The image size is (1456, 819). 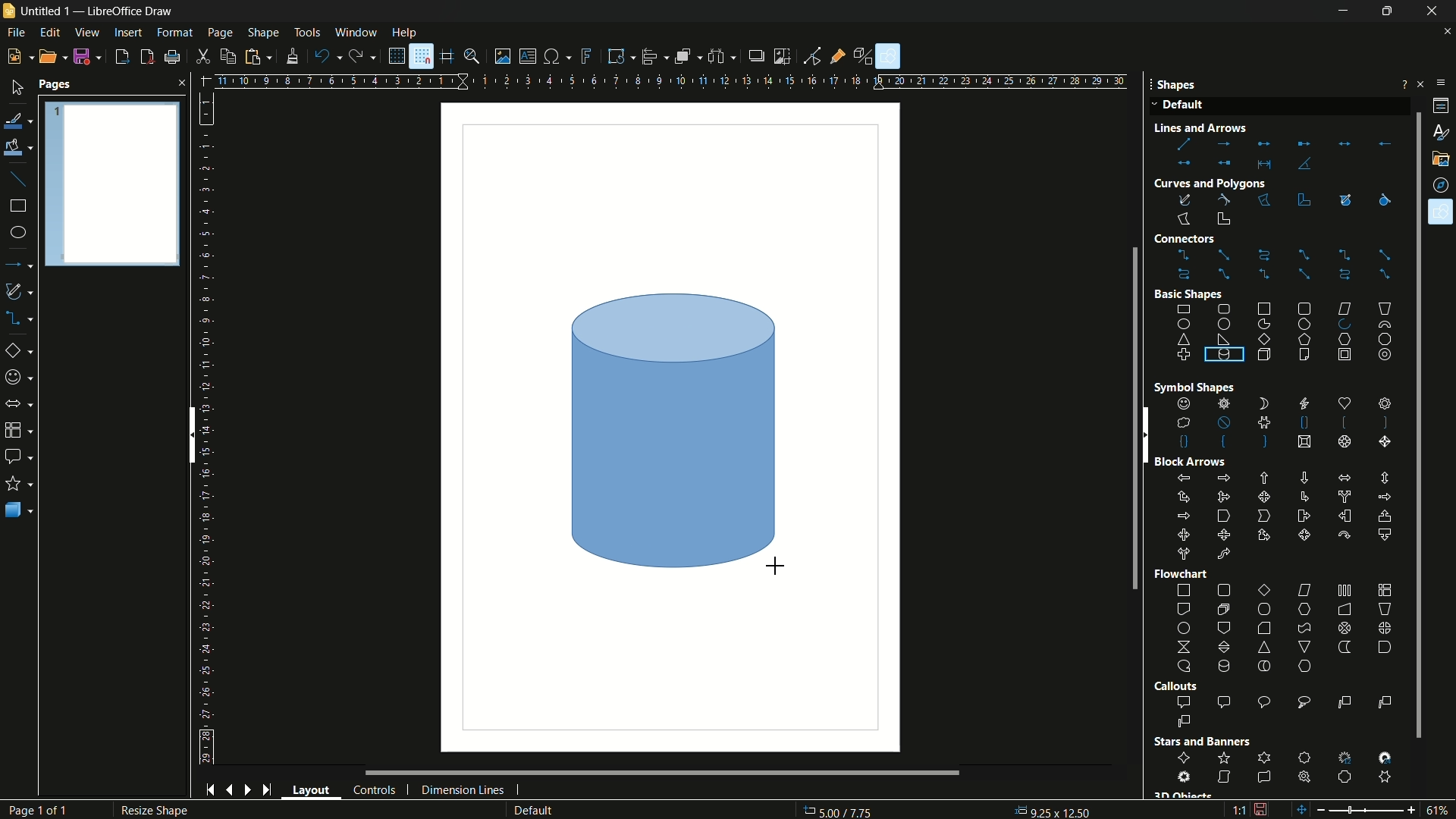 What do you see at coordinates (887, 56) in the screenshot?
I see `show draw functions` at bounding box center [887, 56].